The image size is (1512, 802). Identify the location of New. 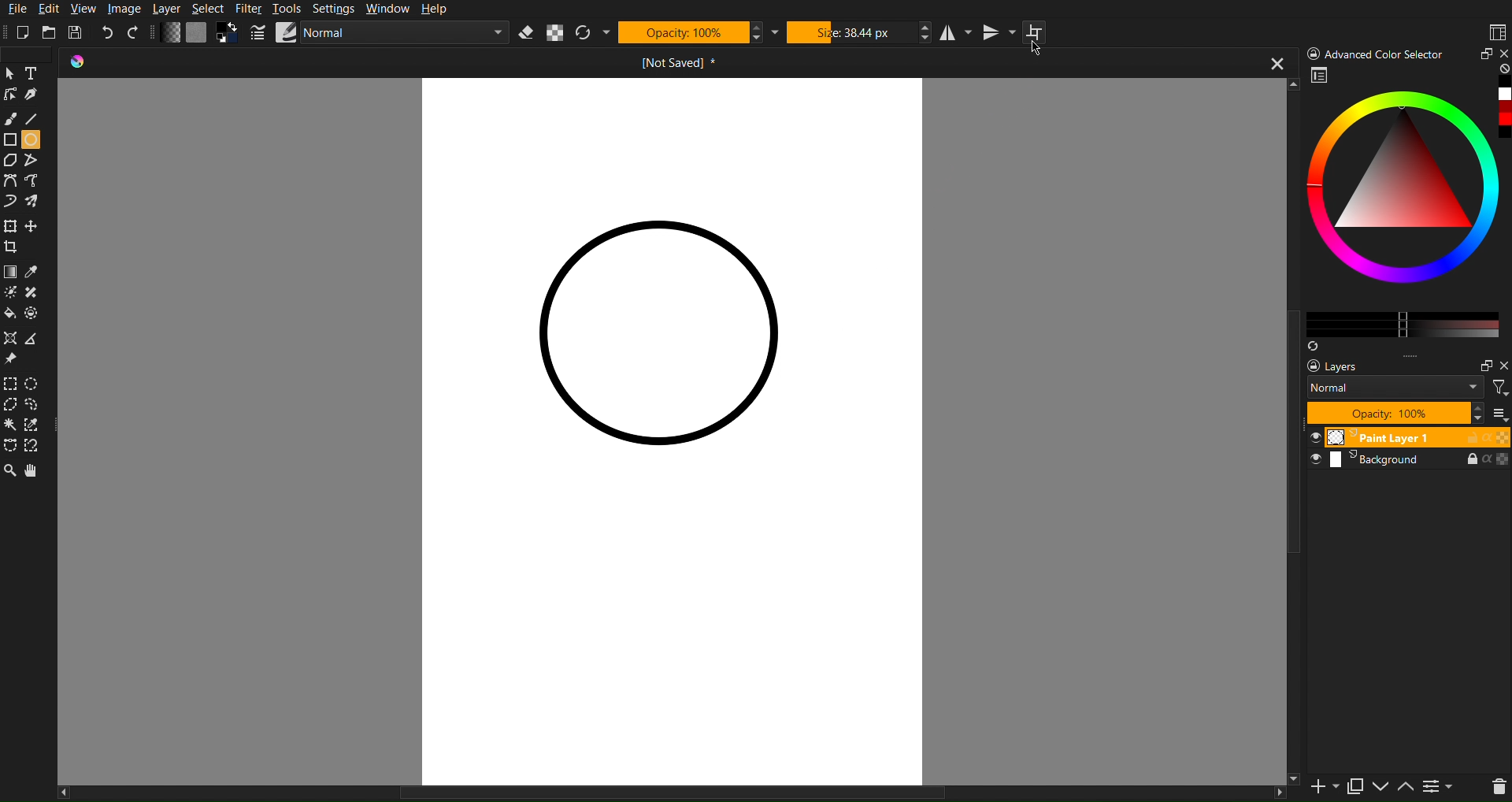
(31, 32).